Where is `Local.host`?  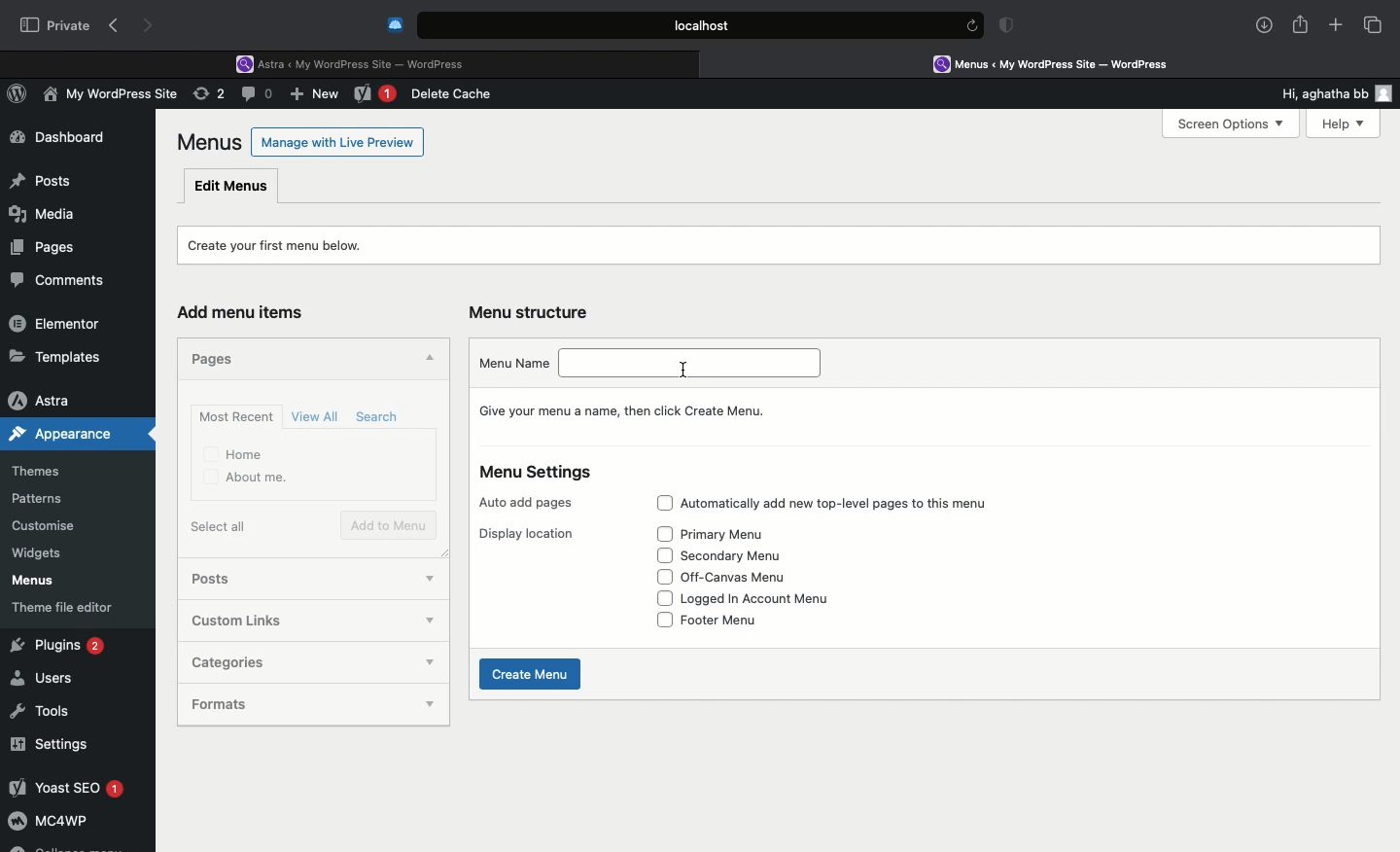 Local.host is located at coordinates (702, 24).